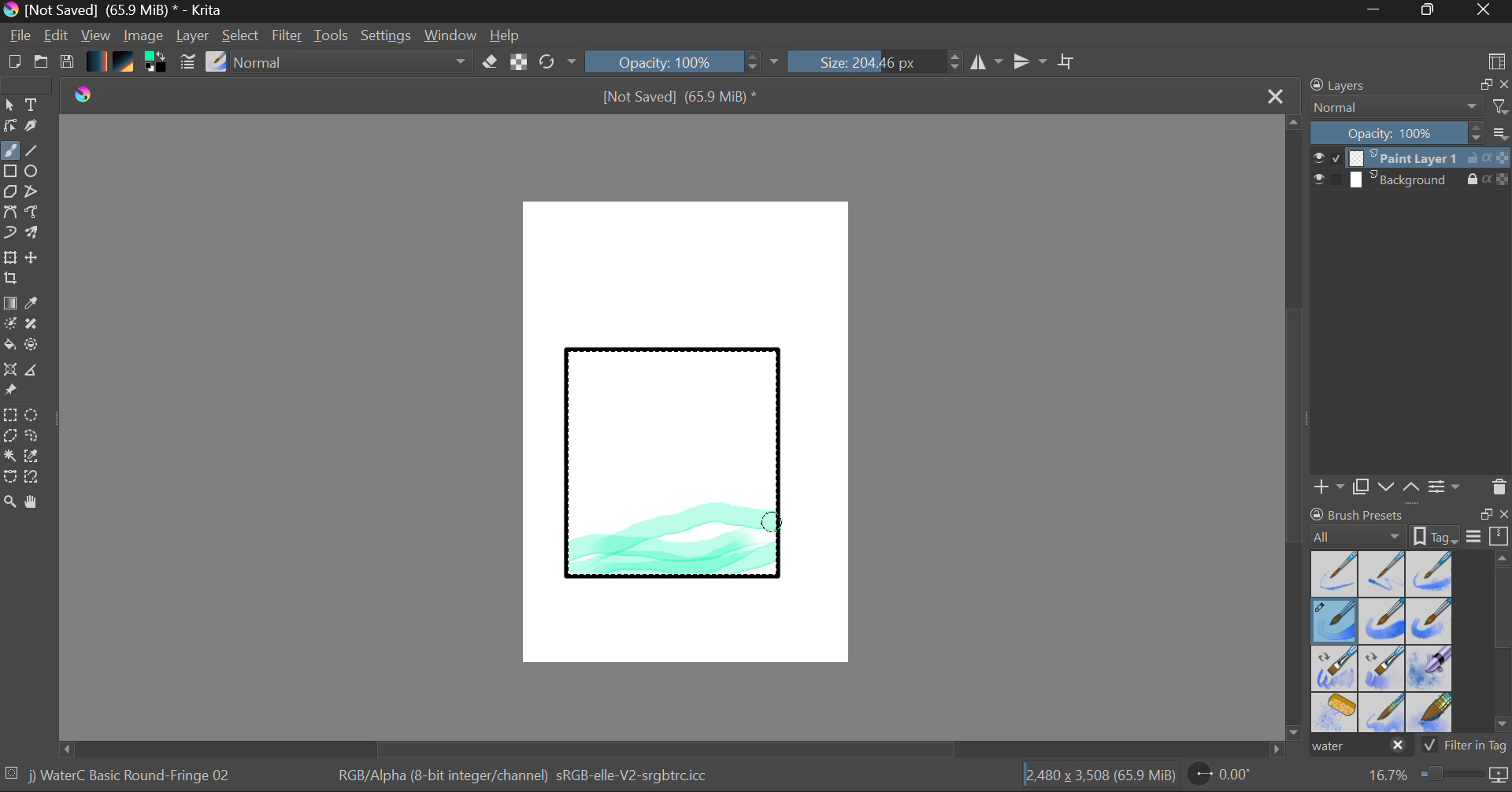 This screenshot has height=792, width=1512. I want to click on Layers Docket Tab, so click(1407, 83).